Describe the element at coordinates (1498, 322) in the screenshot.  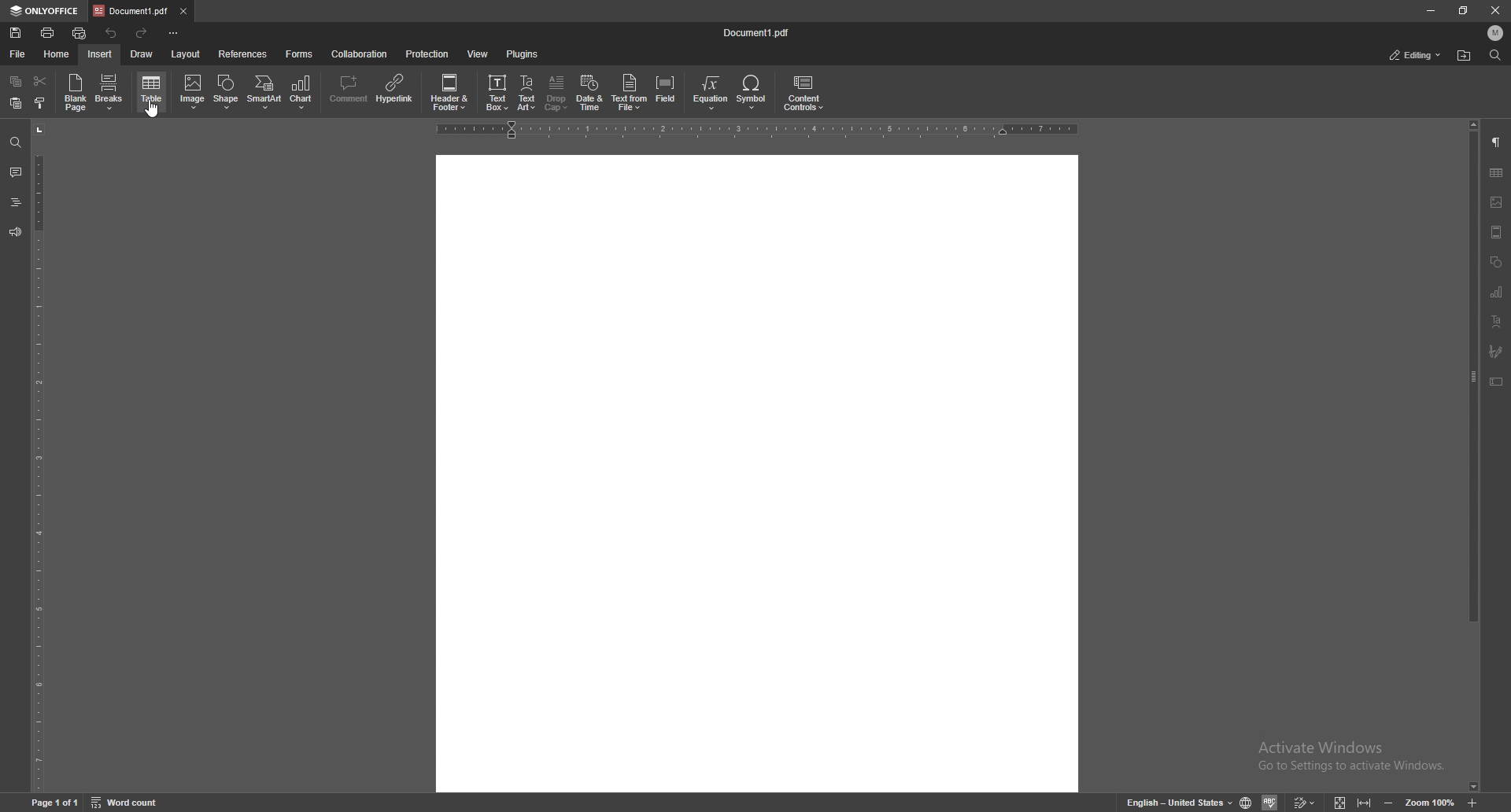
I see `text art` at that location.